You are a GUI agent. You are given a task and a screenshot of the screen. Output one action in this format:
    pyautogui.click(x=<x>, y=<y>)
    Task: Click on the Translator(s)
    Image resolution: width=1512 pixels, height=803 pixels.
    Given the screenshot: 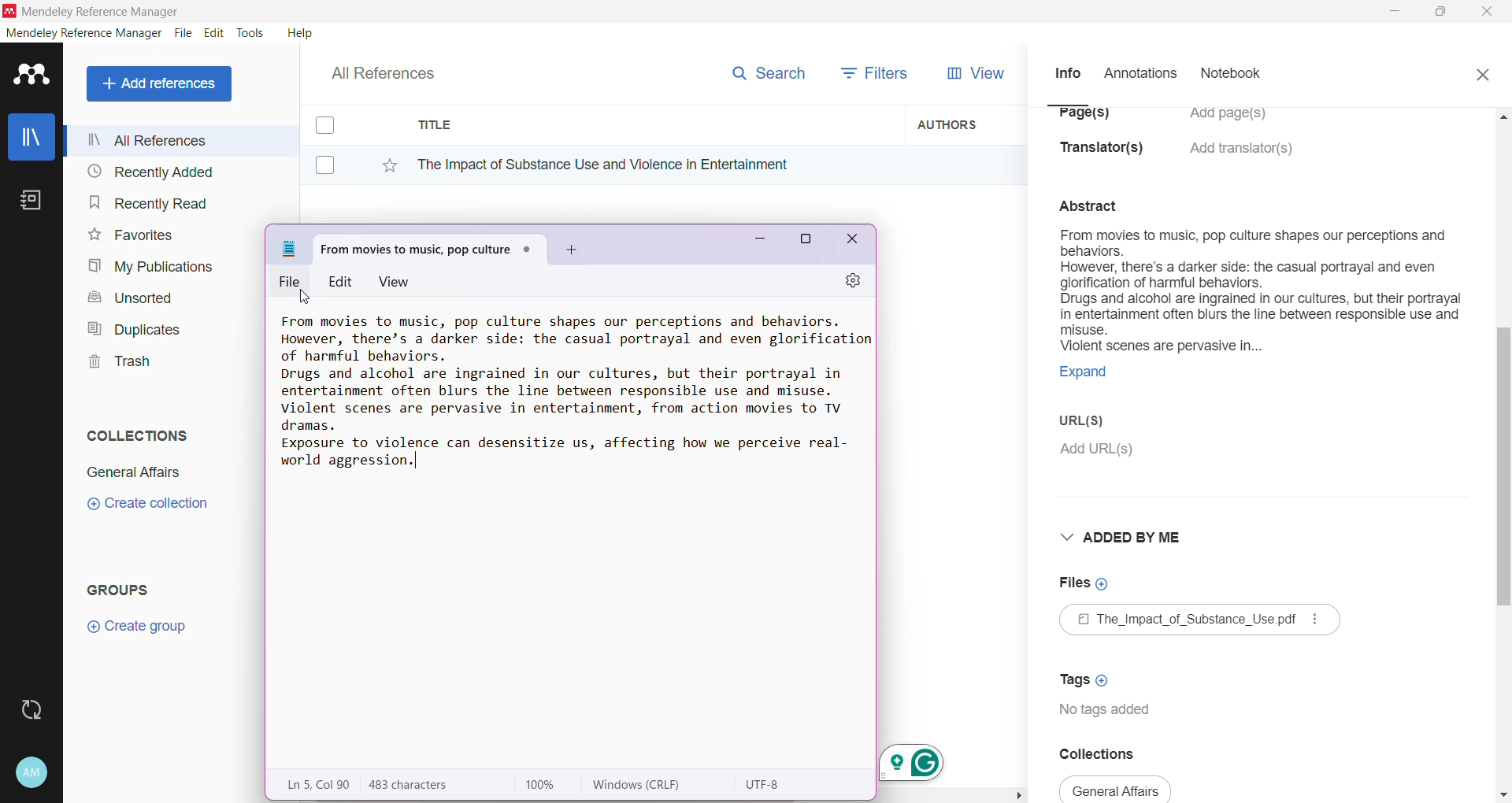 What is the action you would take?
    pyautogui.click(x=1106, y=155)
    